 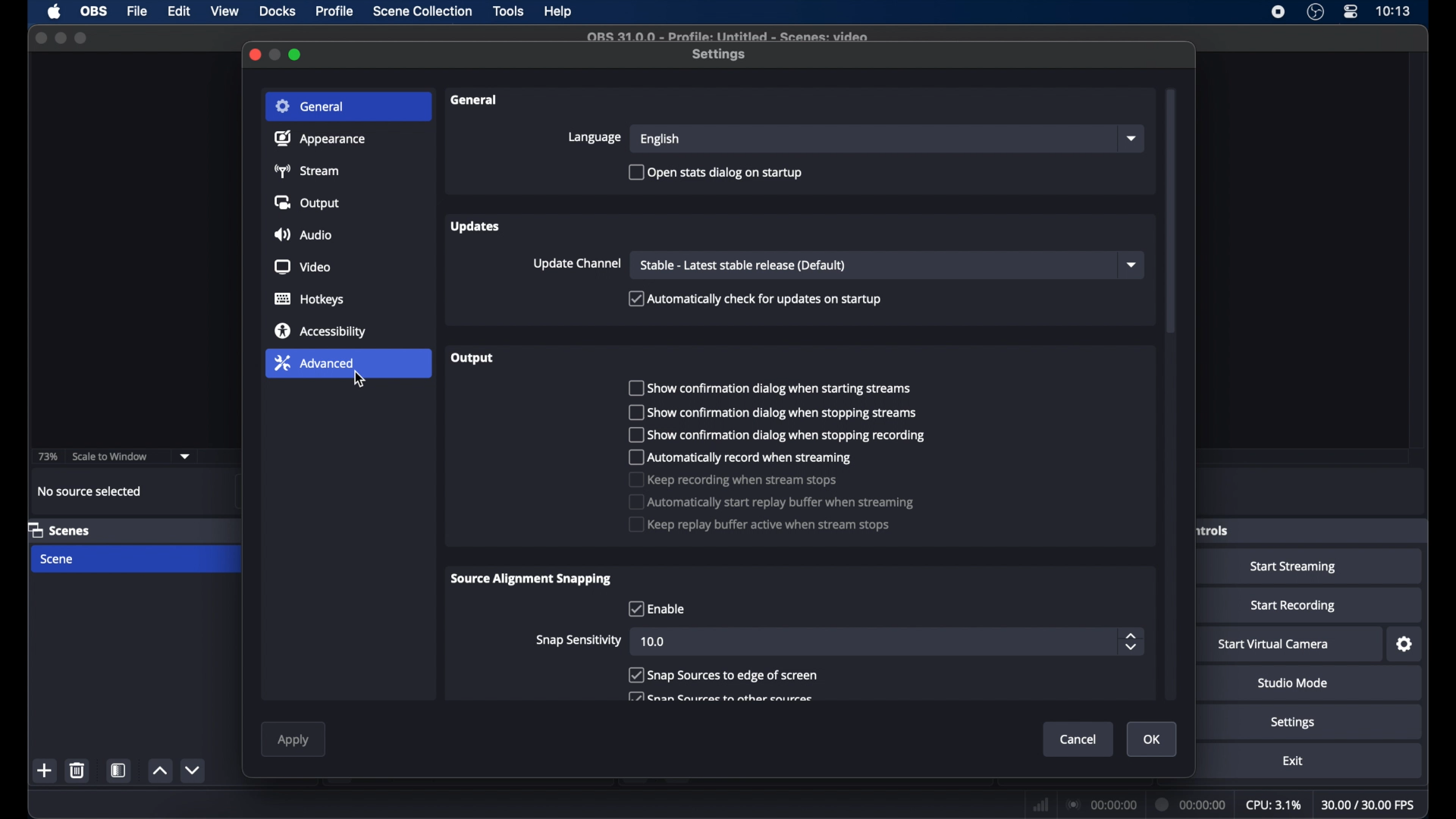 I want to click on audio, so click(x=302, y=236).